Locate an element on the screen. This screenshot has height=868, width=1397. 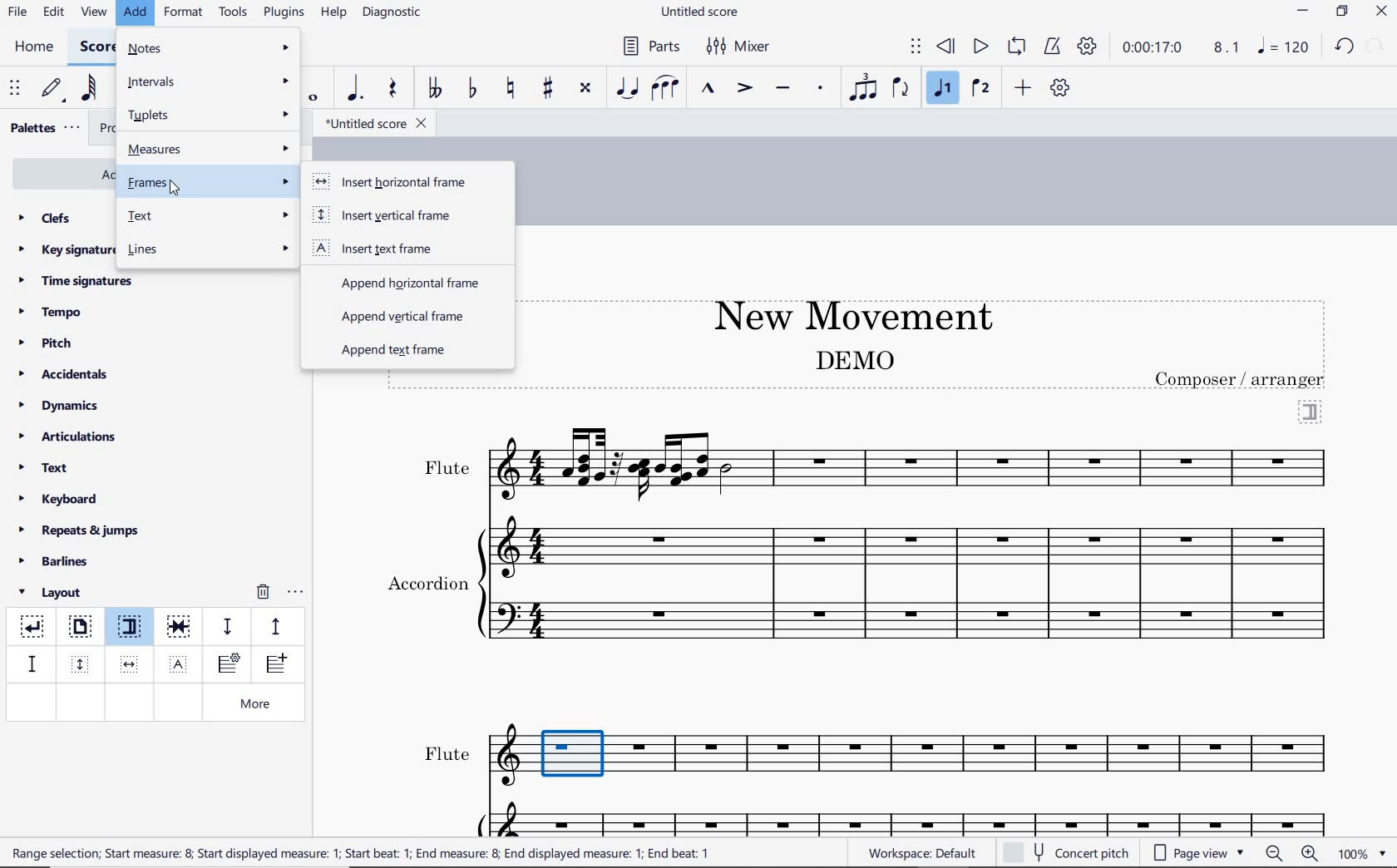
text is located at coordinates (447, 754).